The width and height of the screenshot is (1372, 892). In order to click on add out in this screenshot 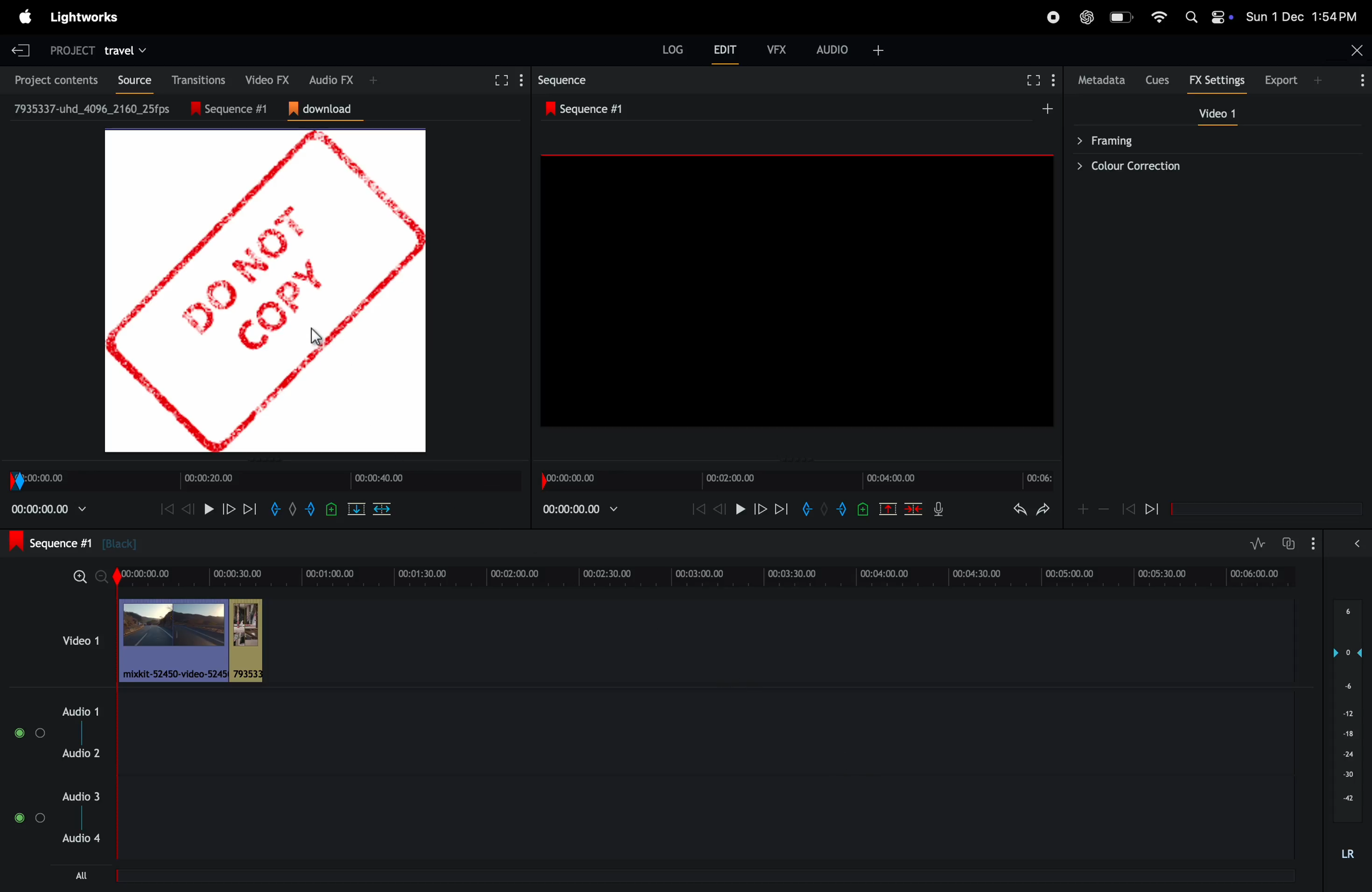, I will do `click(843, 509)`.